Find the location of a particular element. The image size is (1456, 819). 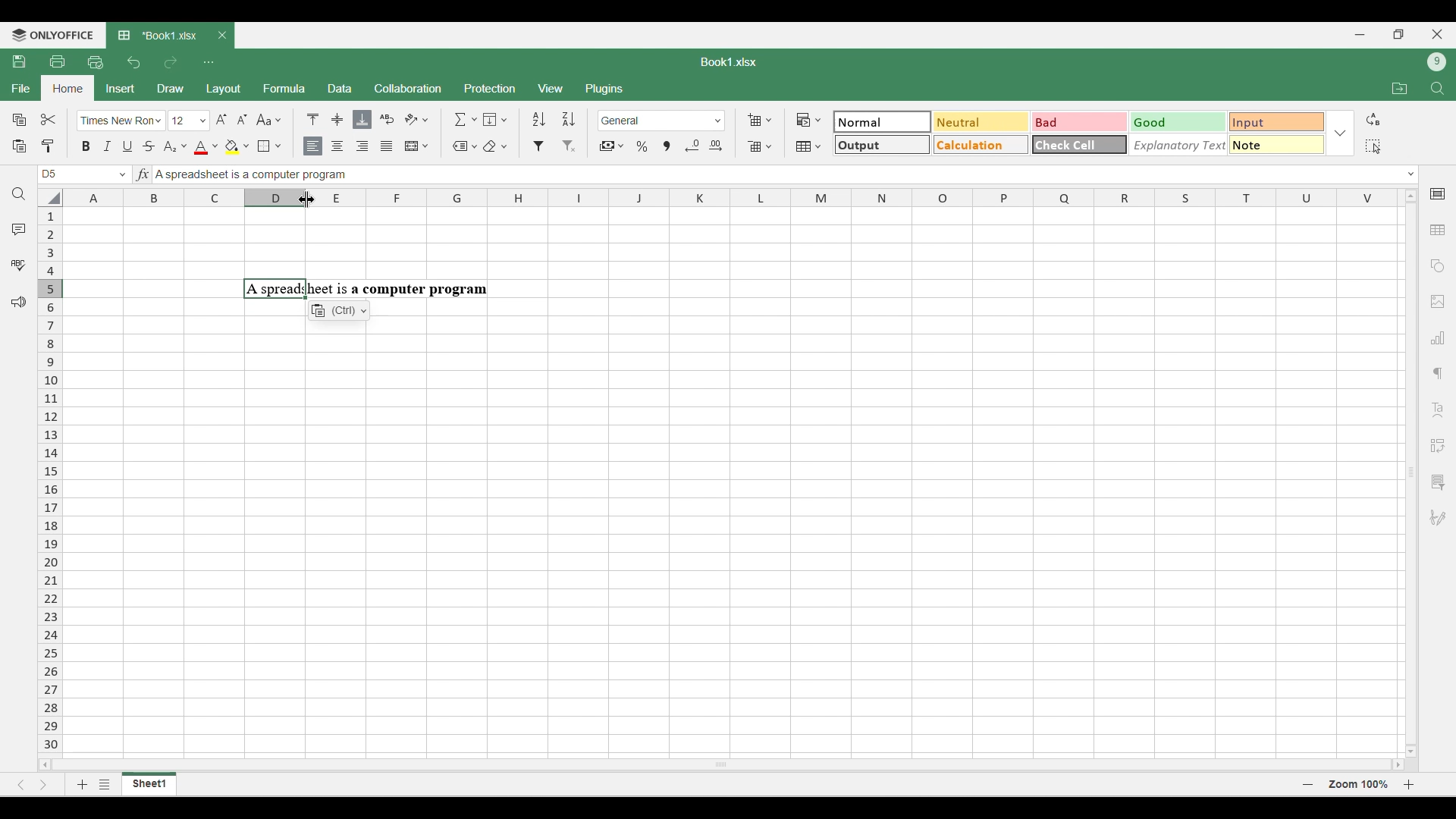

Insert cell options is located at coordinates (759, 120).